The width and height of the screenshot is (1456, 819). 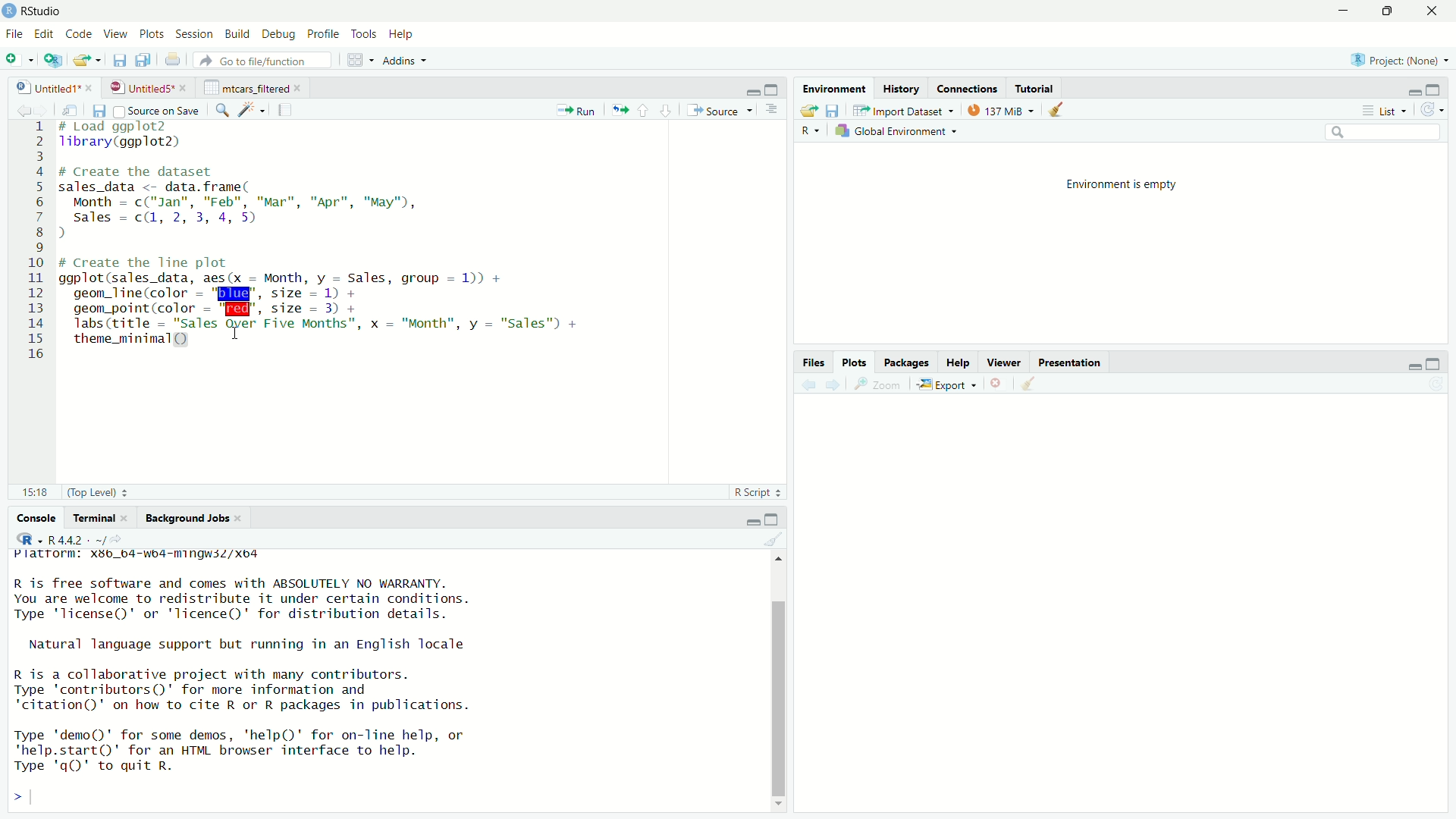 What do you see at coordinates (77, 540) in the screenshot?
I see `R 4.4.2 .~/` at bounding box center [77, 540].